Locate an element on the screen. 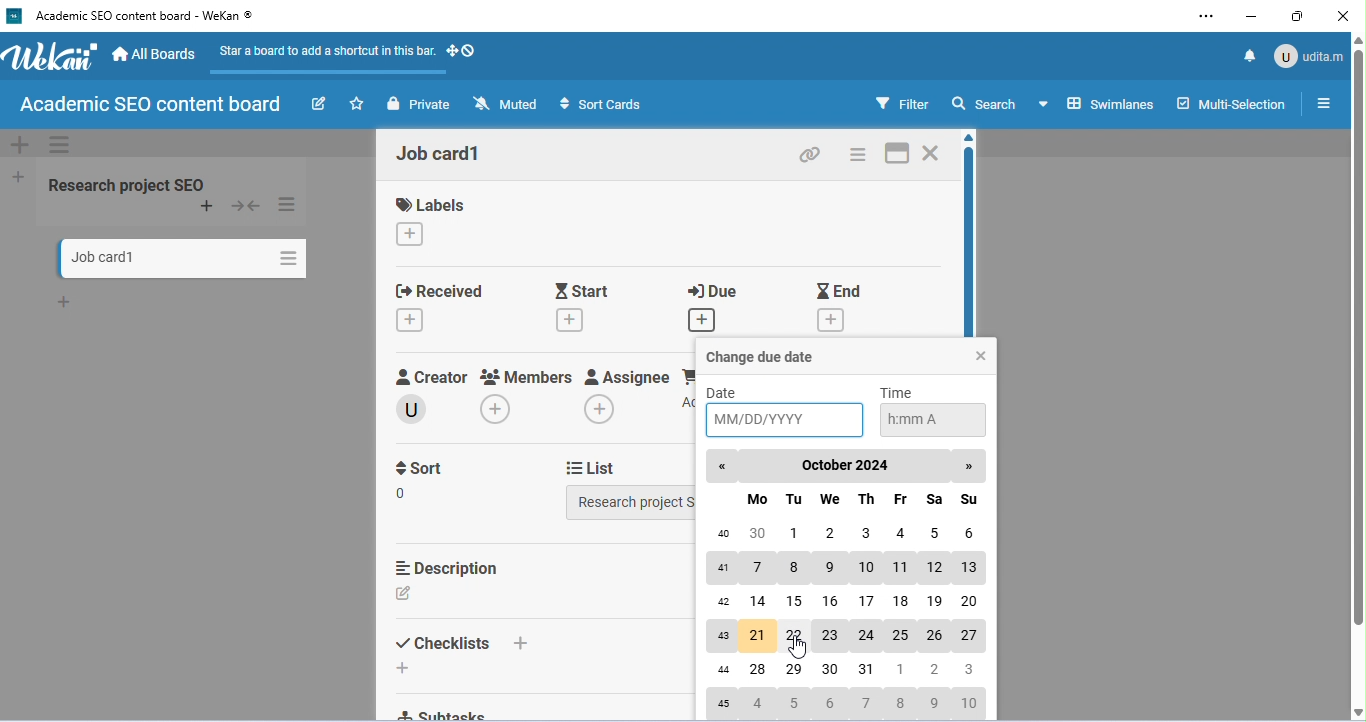  board view is located at coordinates (1095, 103).